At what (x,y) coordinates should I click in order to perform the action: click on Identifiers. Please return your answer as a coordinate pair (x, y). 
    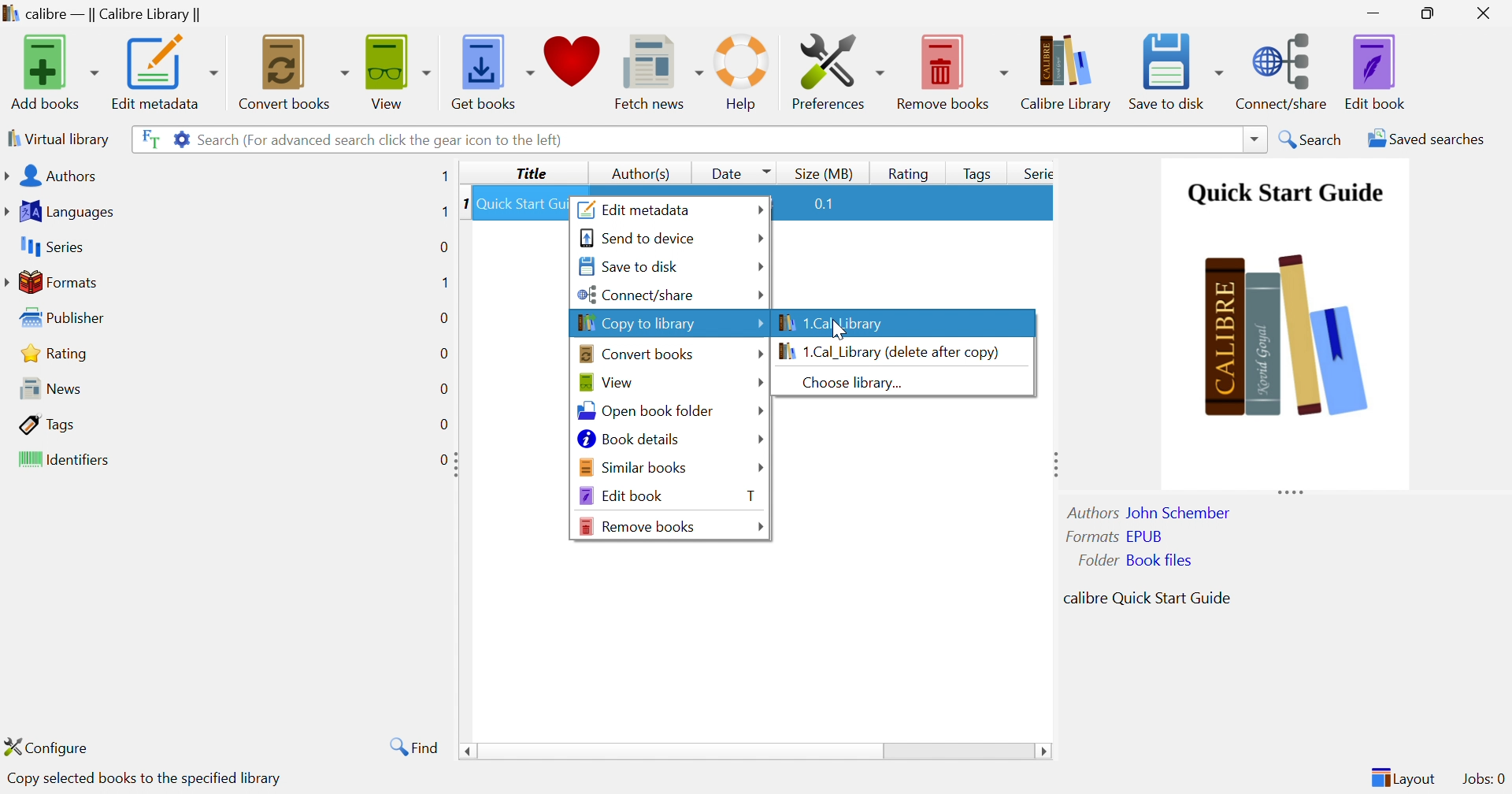
    Looking at the image, I should click on (61, 458).